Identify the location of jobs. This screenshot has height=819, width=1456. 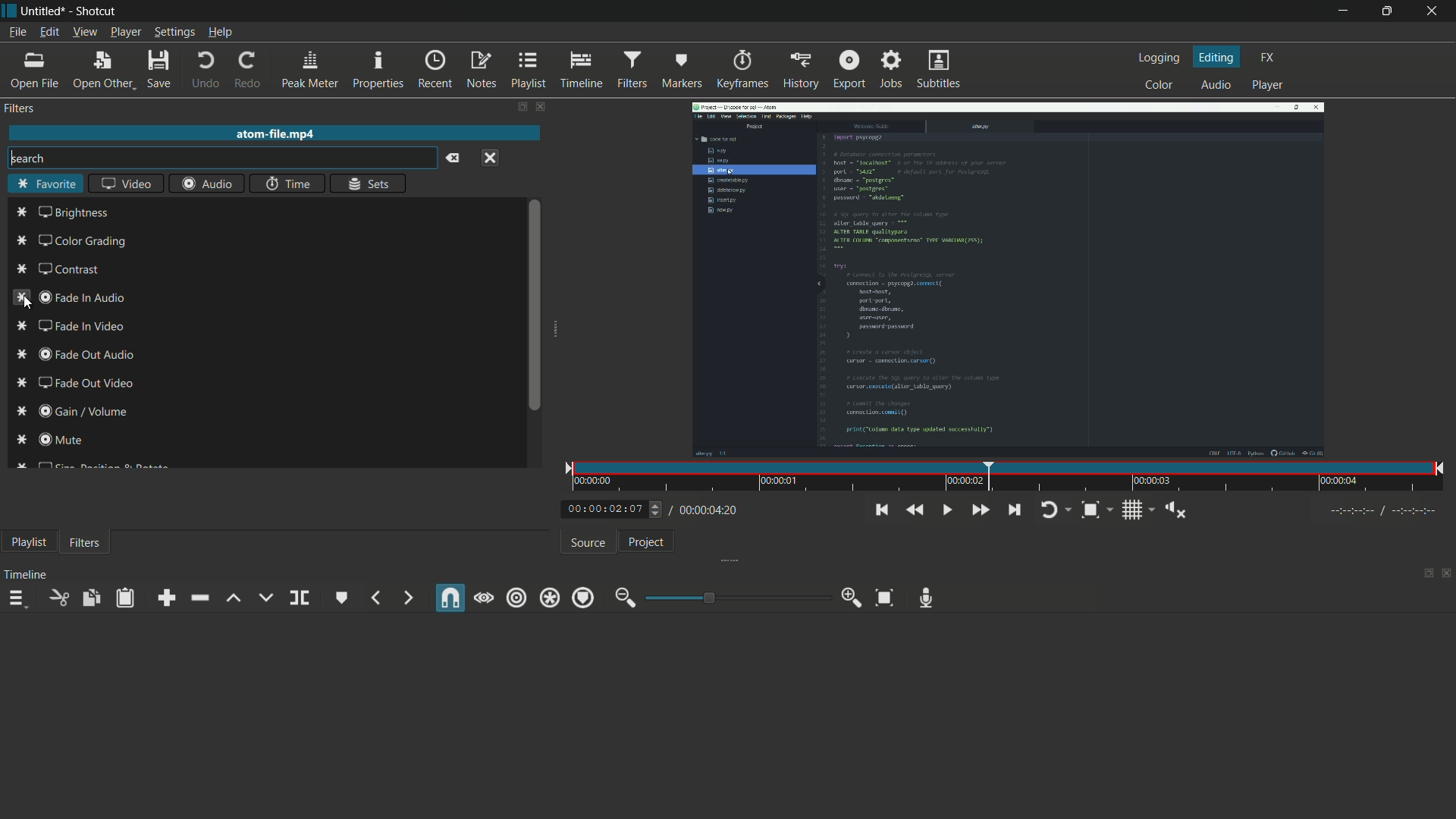
(893, 69).